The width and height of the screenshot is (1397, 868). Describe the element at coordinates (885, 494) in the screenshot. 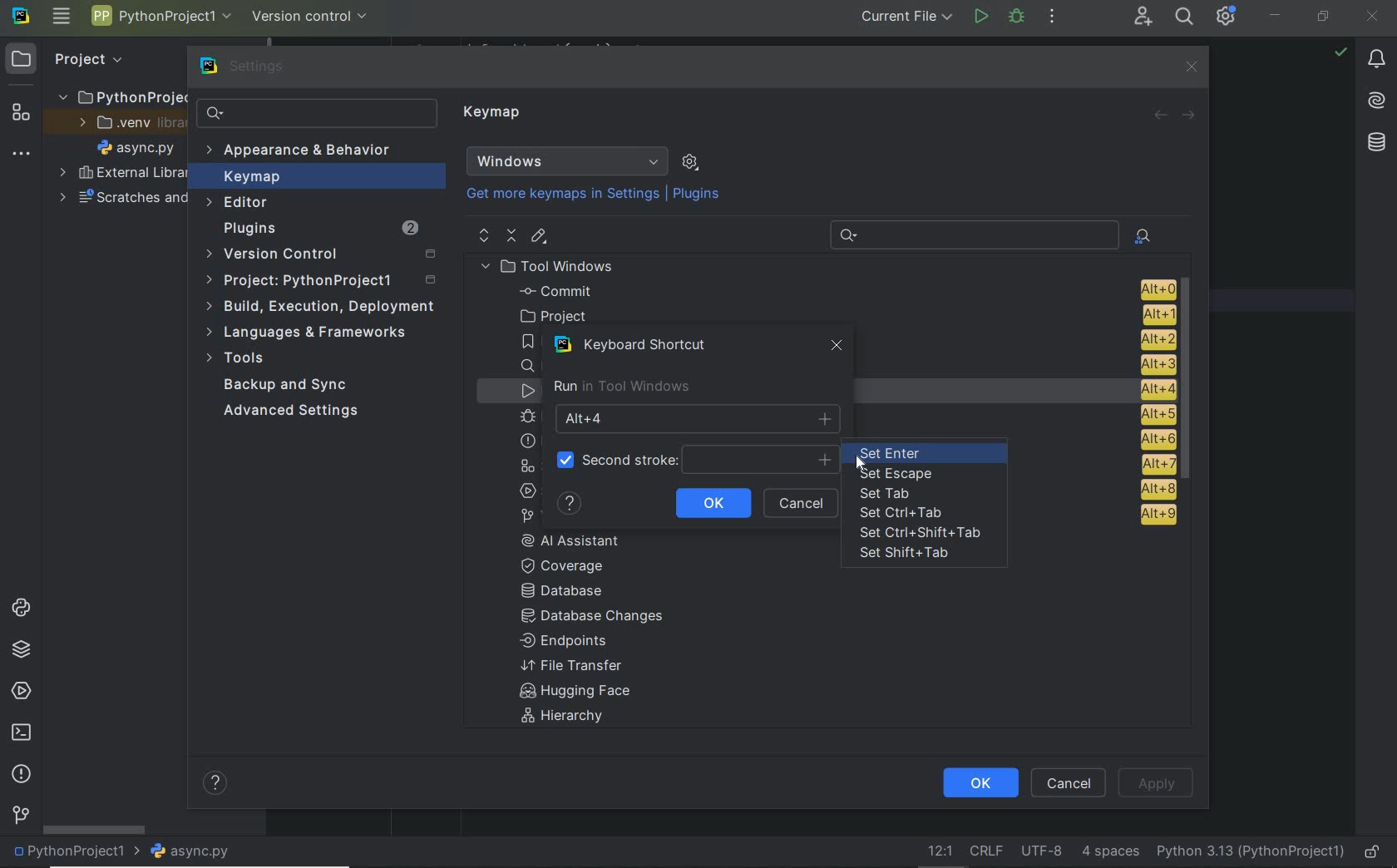

I see `set tab` at that location.